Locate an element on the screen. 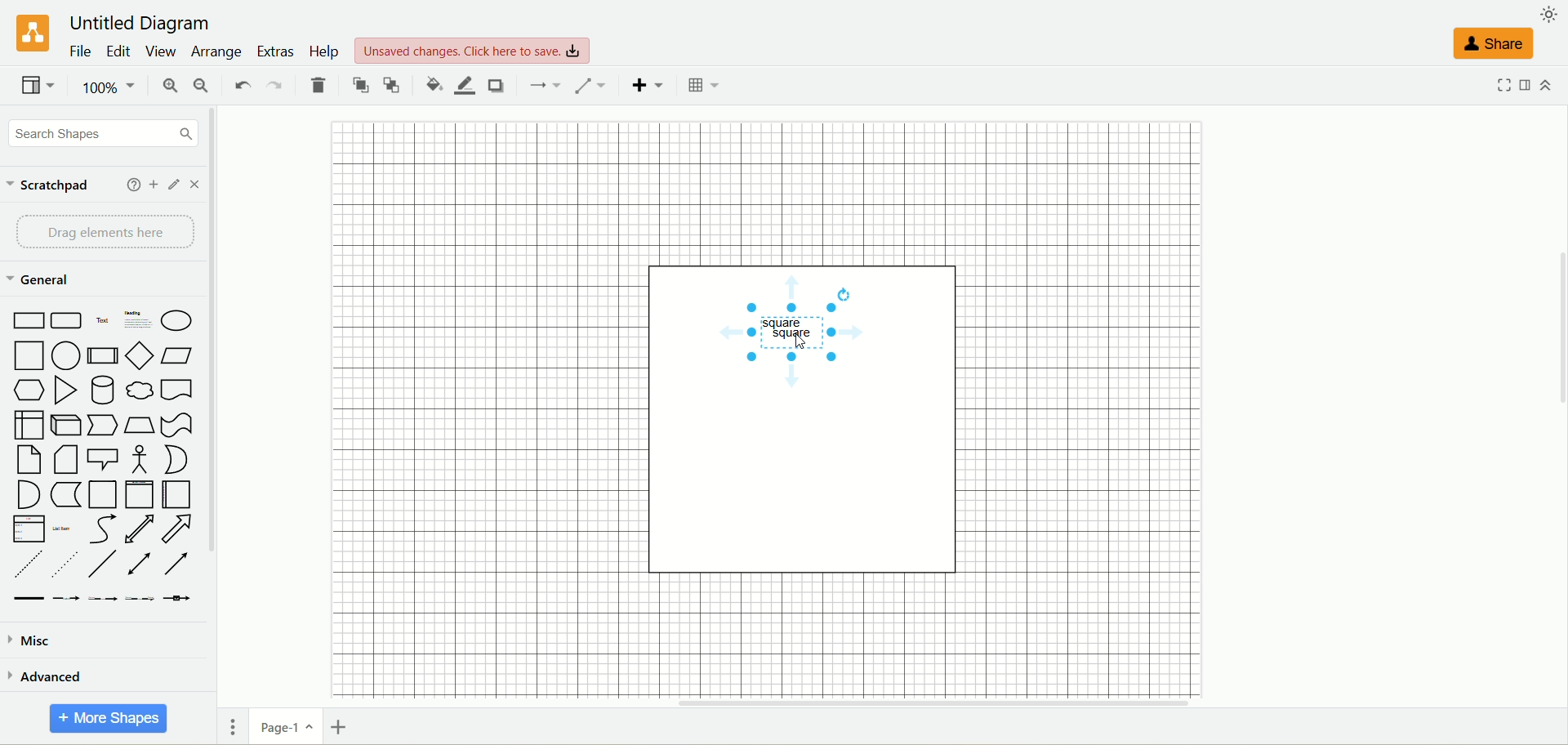 This screenshot has width=1568, height=745. to front is located at coordinates (361, 85).